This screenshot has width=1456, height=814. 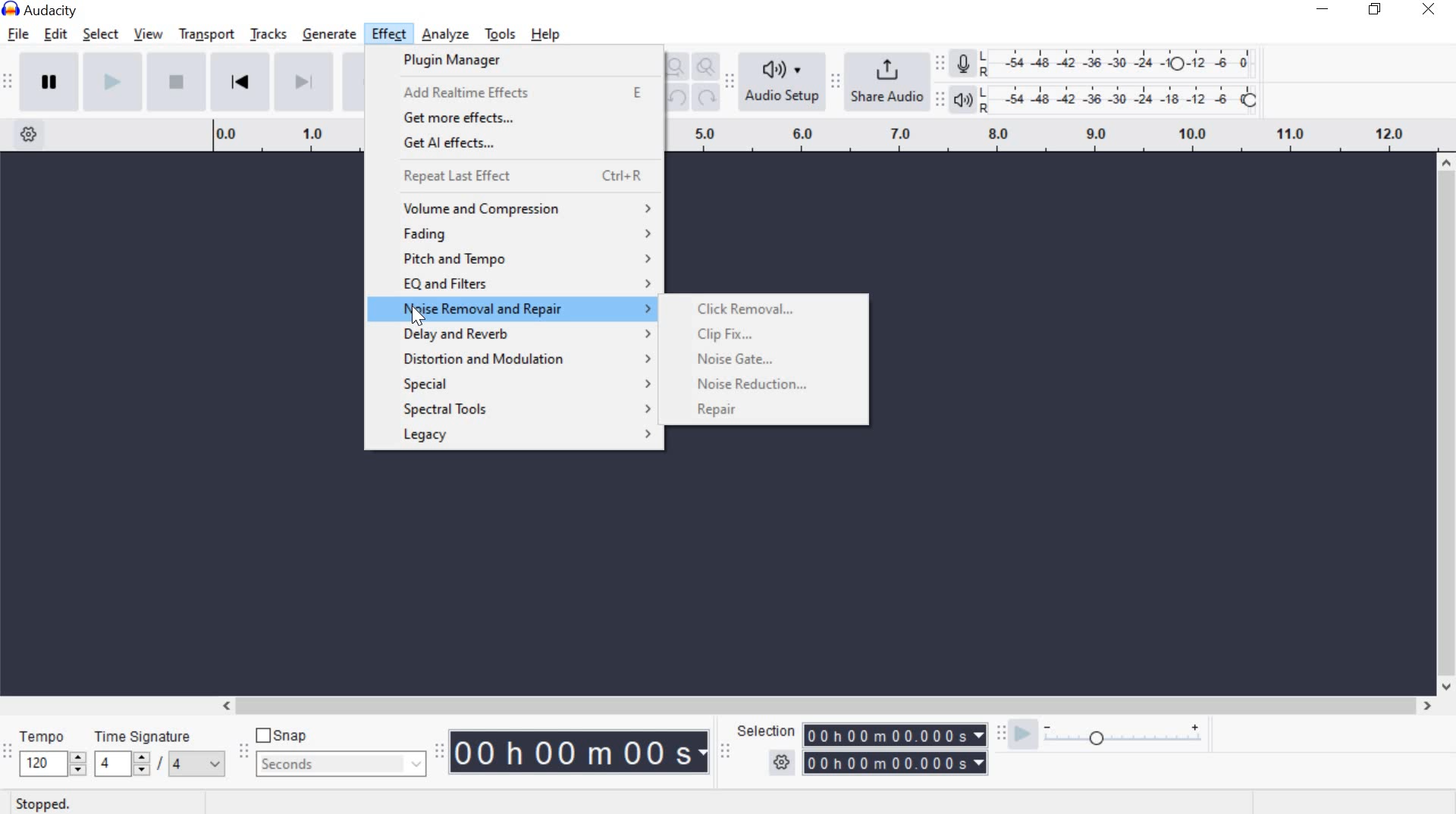 What do you see at coordinates (527, 236) in the screenshot?
I see `fading` at bounding box center [527, 236].